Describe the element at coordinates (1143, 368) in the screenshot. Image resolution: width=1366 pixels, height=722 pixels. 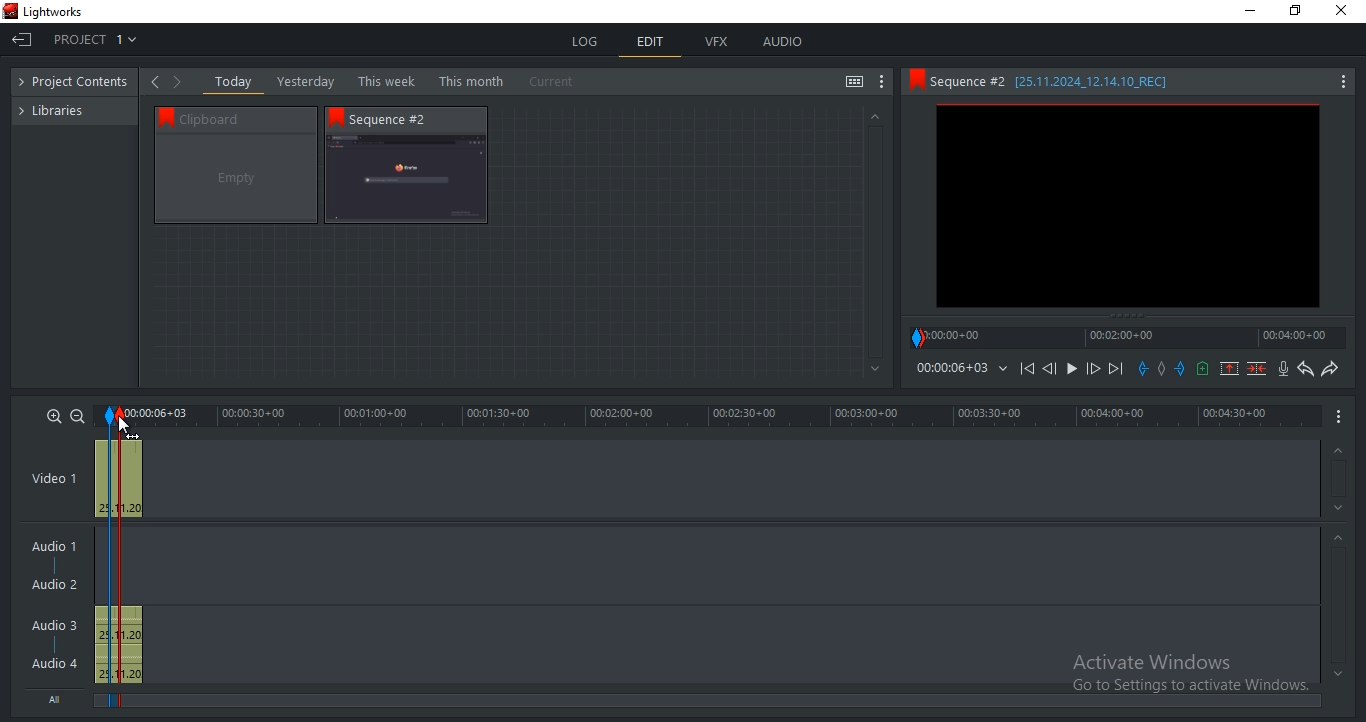
I see `mark in` at that location.